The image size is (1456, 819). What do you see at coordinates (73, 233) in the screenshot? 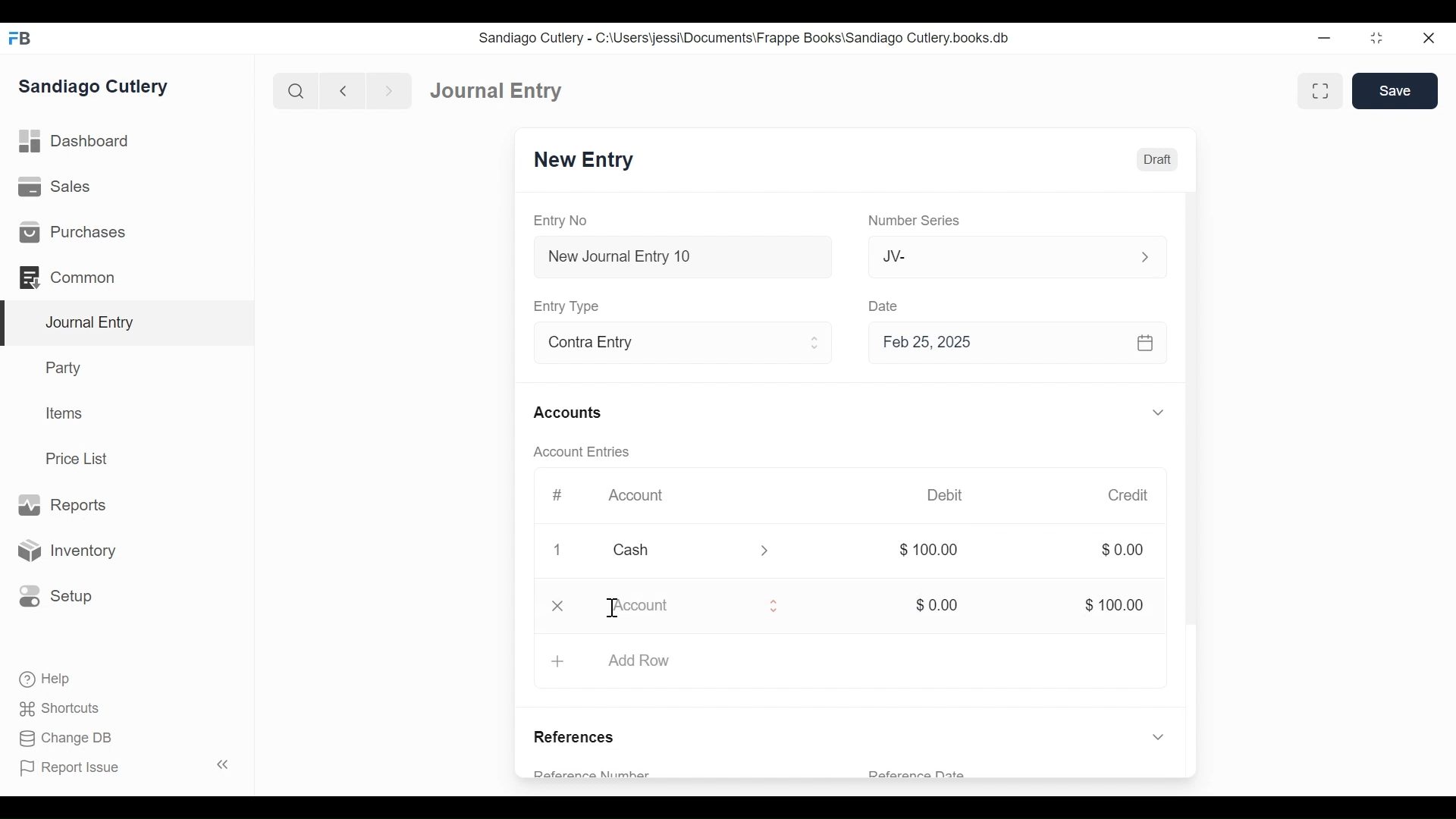
I see `Purchases` at bounding box center [73, 233].